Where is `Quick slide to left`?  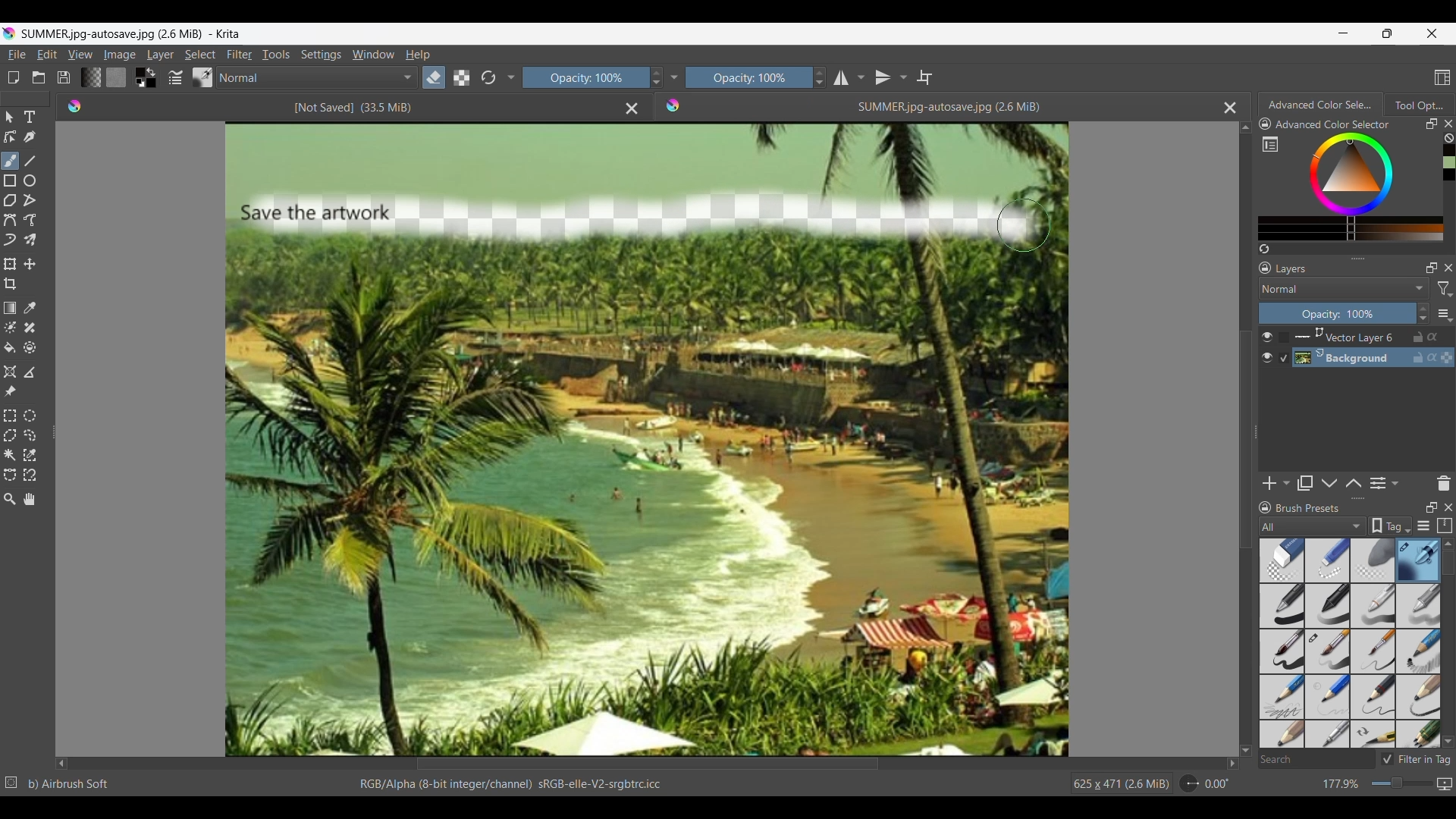 Quick slide to left is located at coordinates (61, 764).